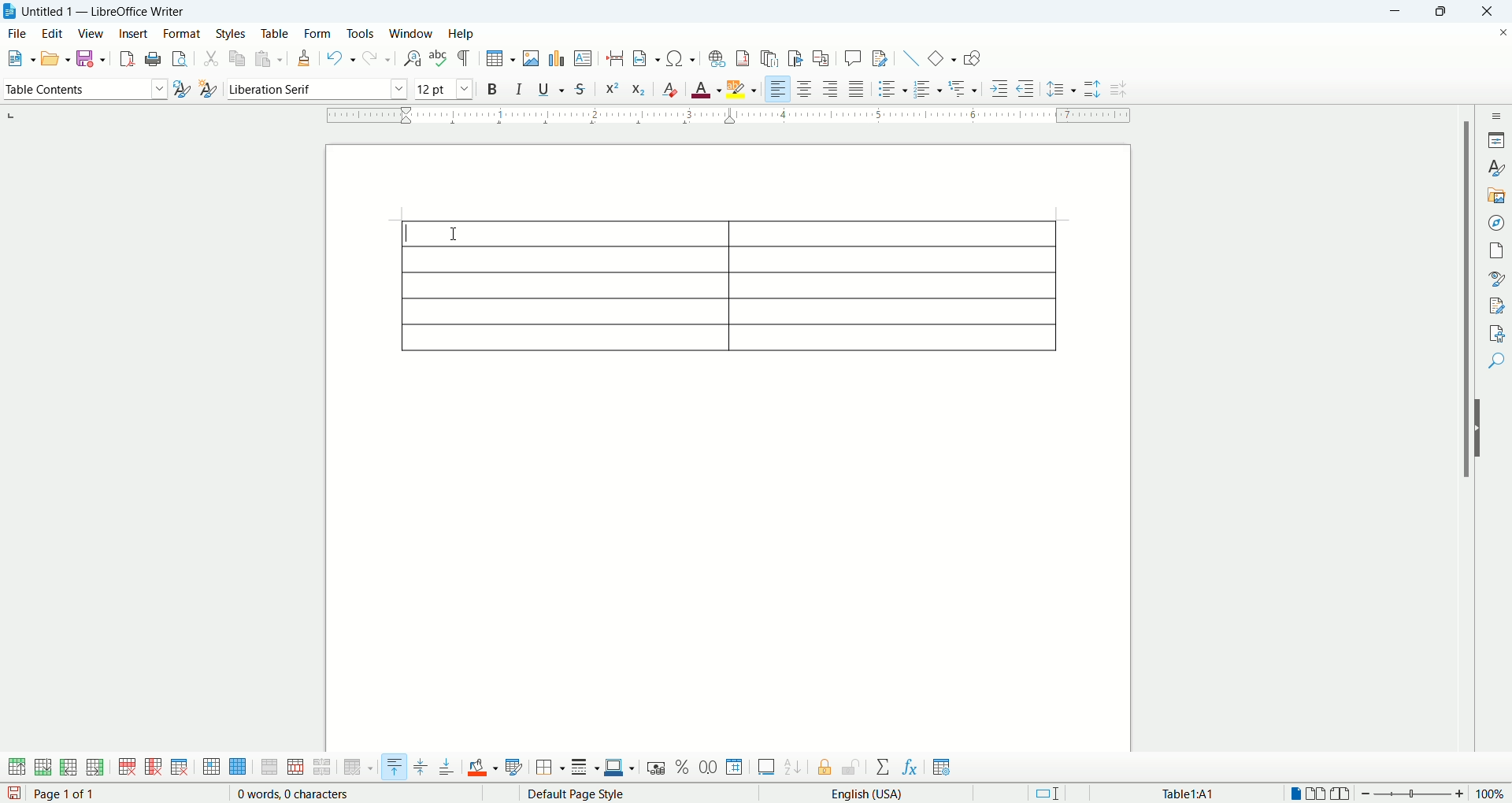  Describe the element at coordinates (1482, 428) in the screenshot. I see `hide` at that location.